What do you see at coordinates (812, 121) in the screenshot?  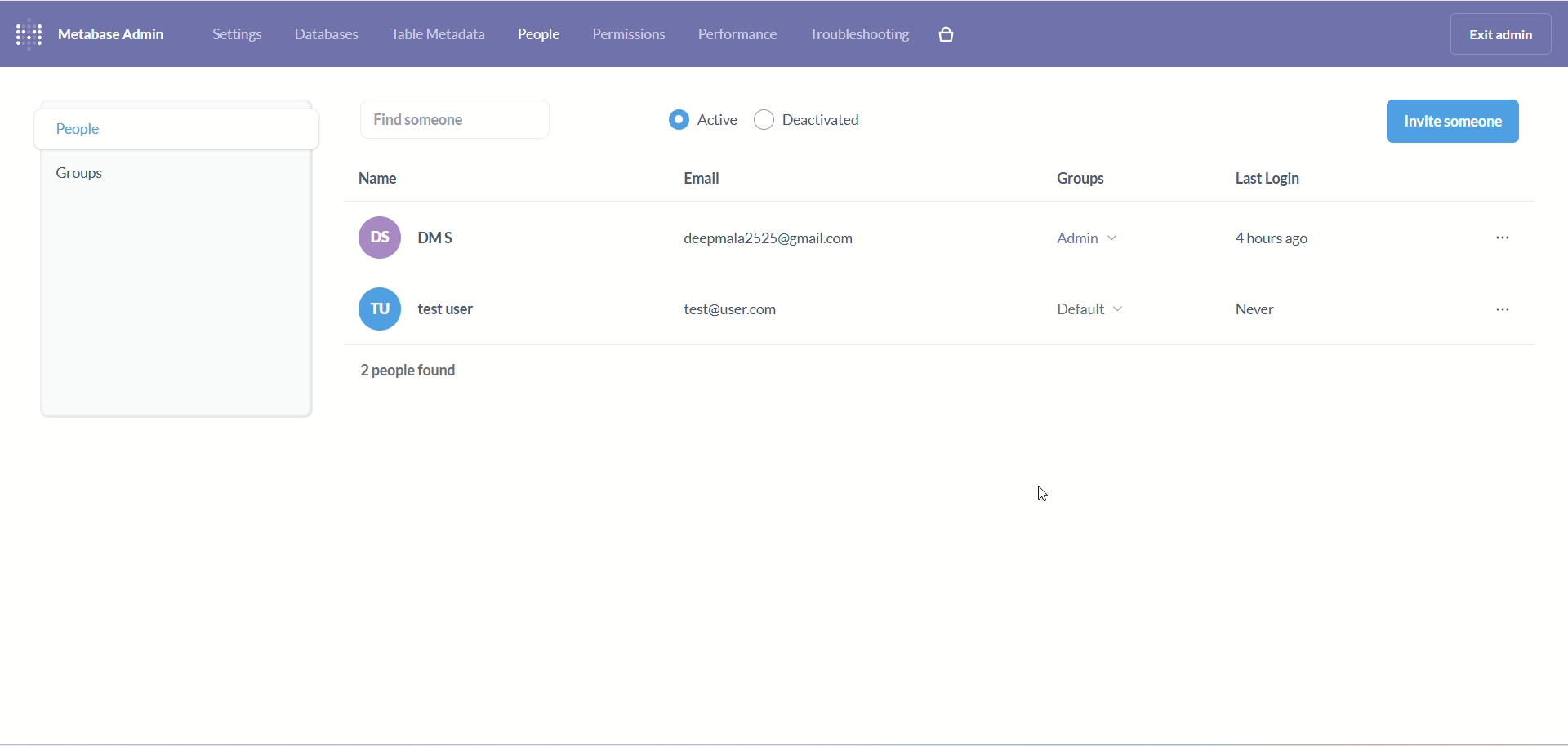 I see `deactivated` at bounding box center [812, 121].